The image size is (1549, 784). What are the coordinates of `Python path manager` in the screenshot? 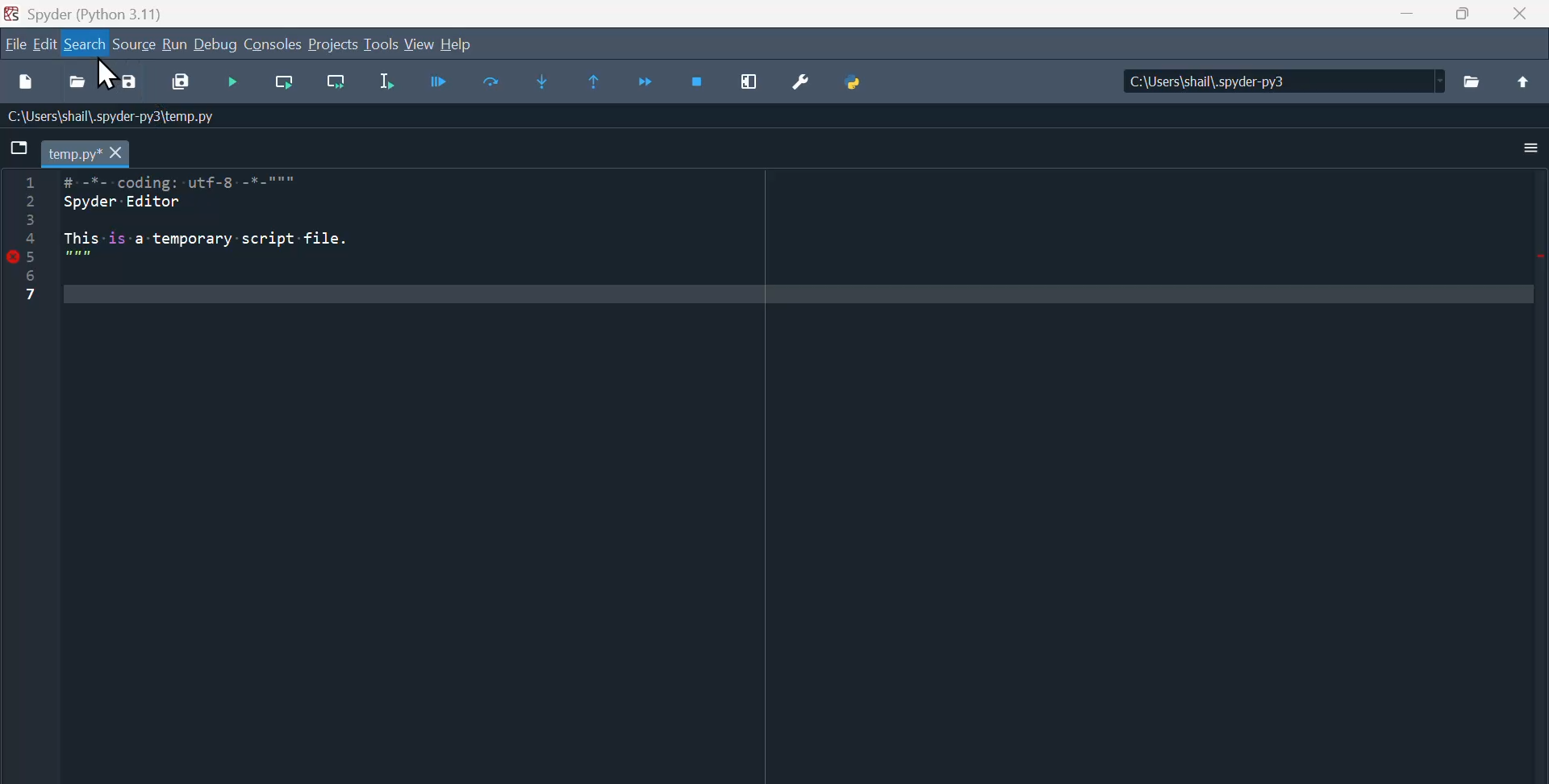 It's located at (852, 83).